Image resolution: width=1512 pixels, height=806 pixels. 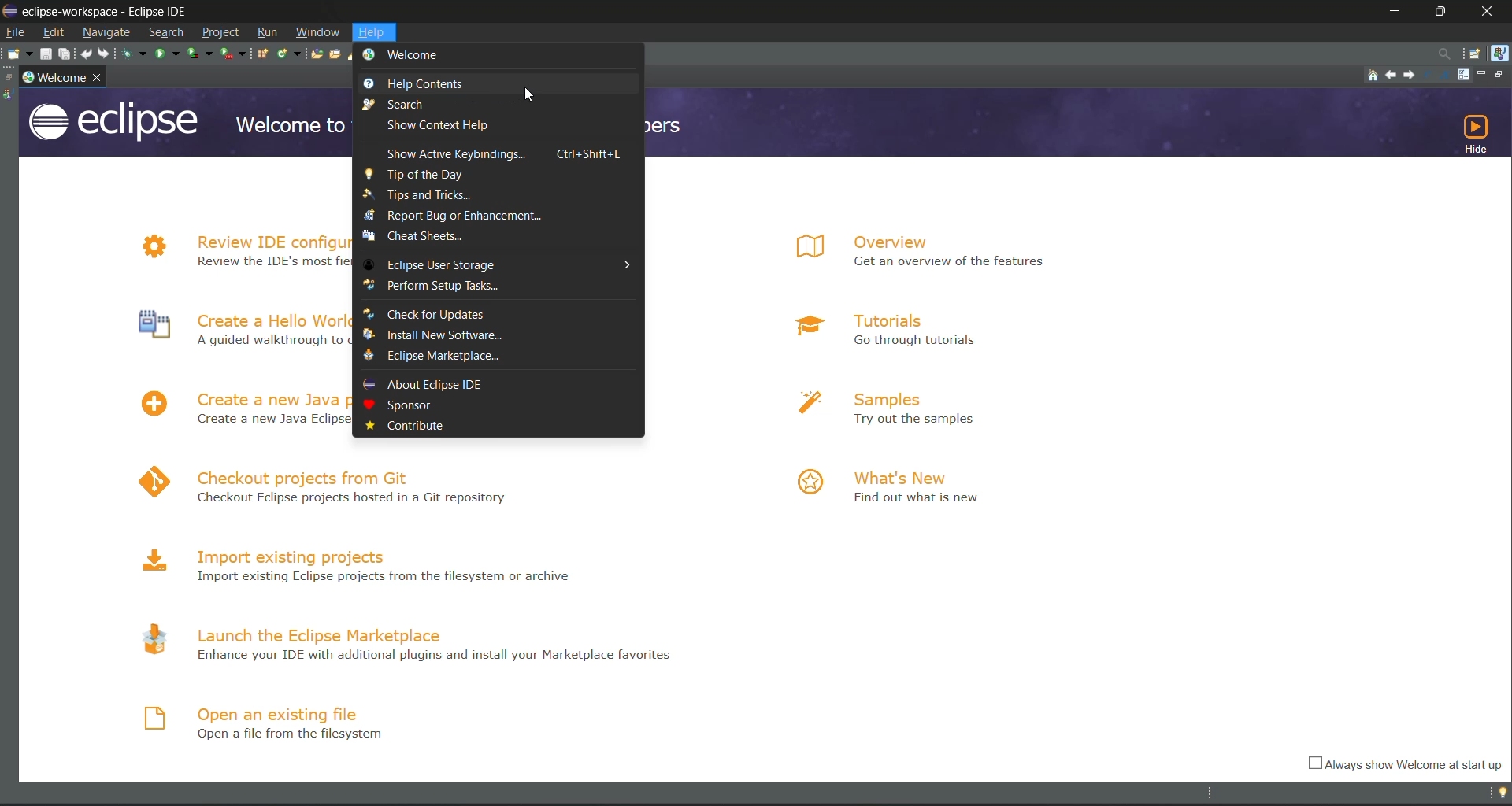 I want to click on search, so click(x=420, y=106).